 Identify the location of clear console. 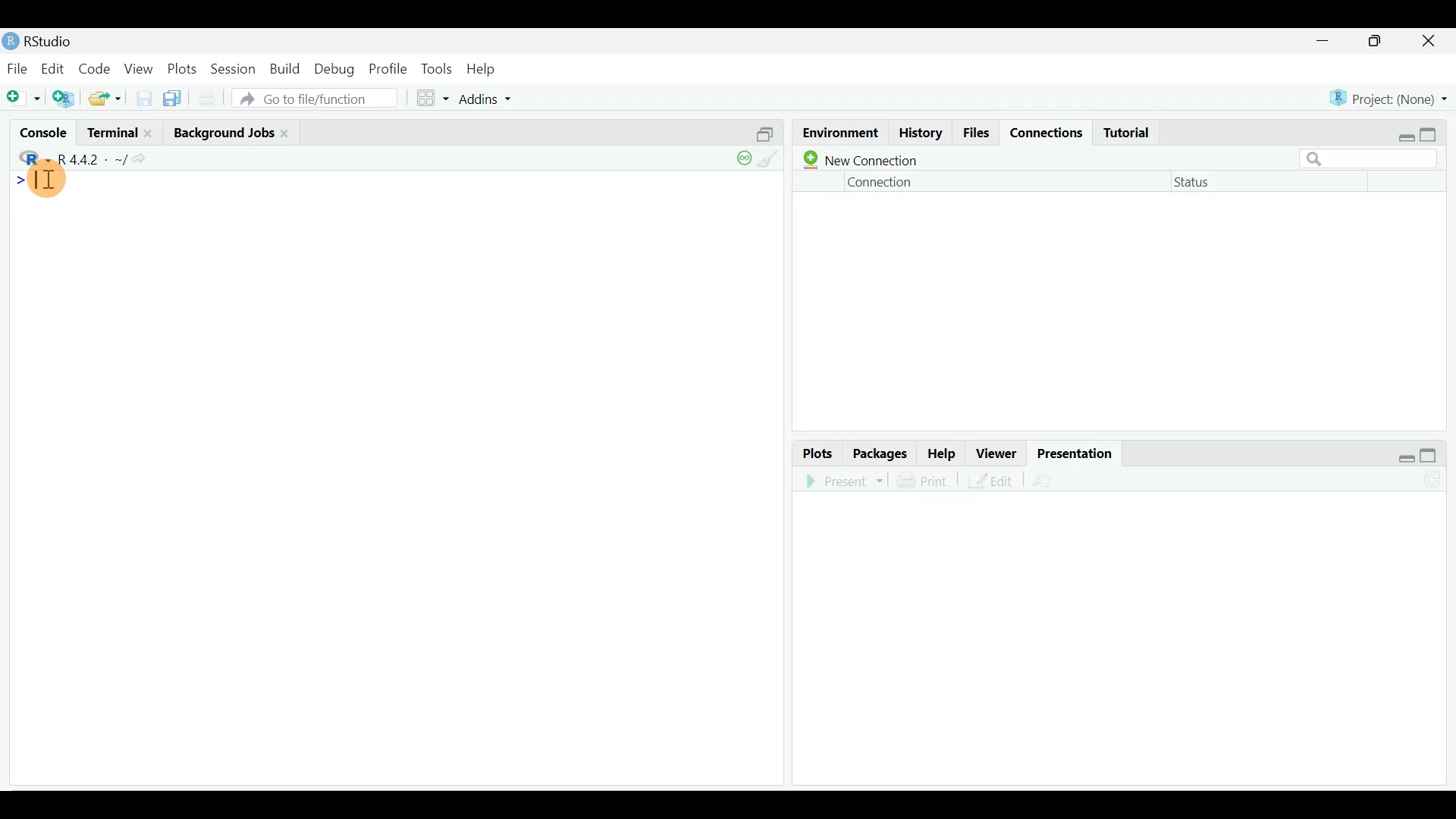
(773, 162).